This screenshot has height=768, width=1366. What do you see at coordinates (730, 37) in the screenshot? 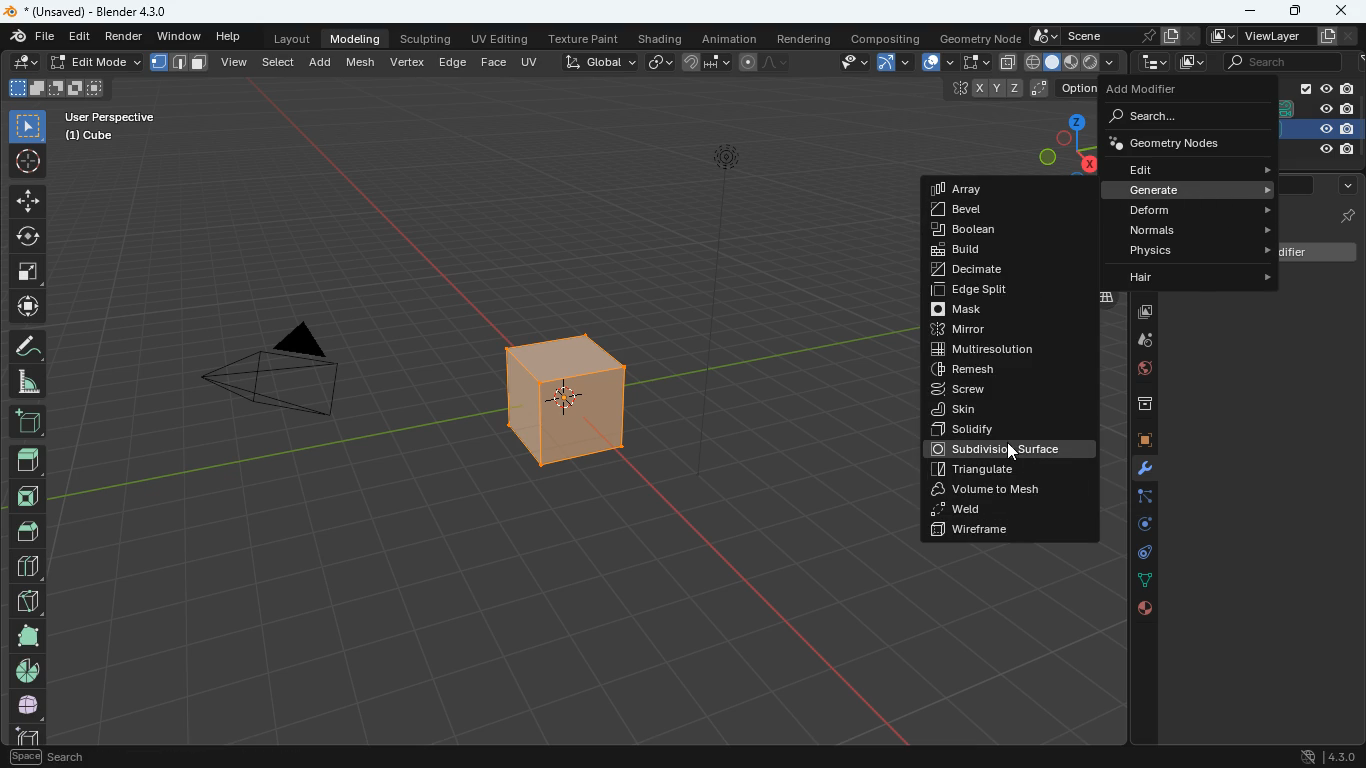
I see `animation` at bounding box center [730, 37].